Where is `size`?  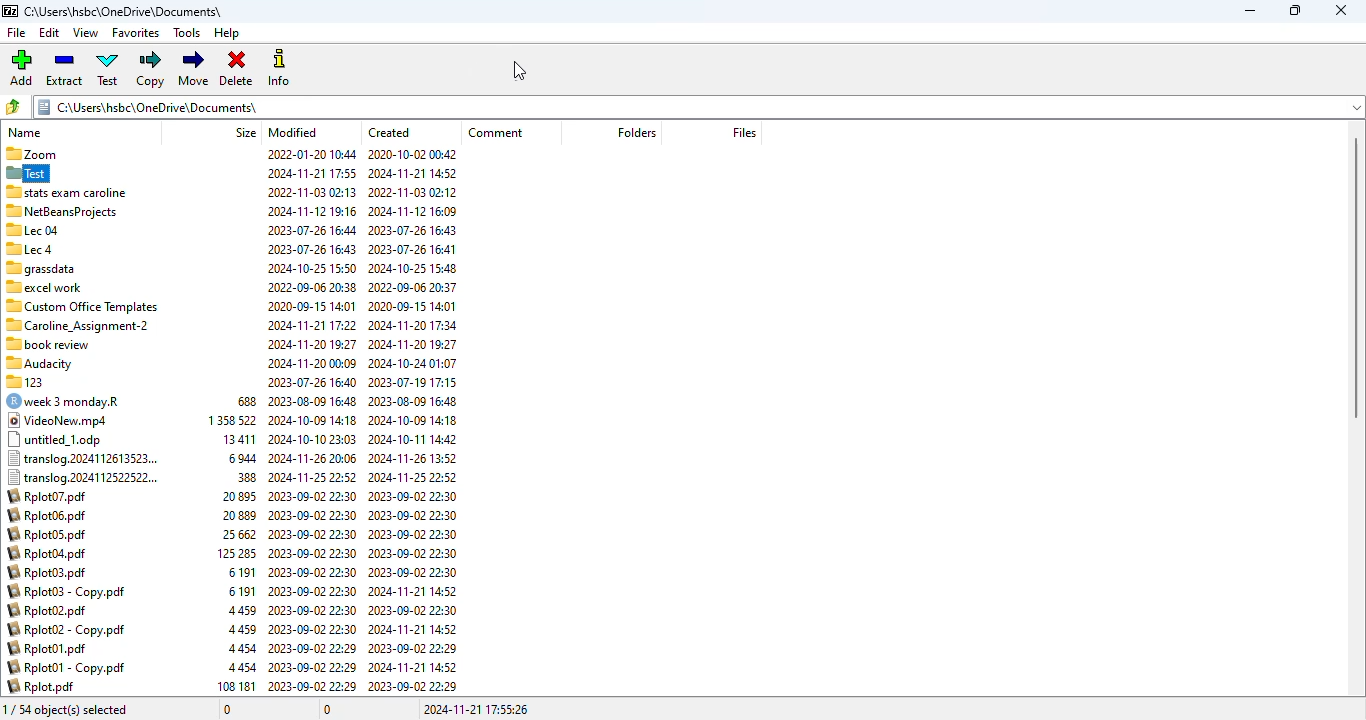 size is located at coordinates (245, 132).